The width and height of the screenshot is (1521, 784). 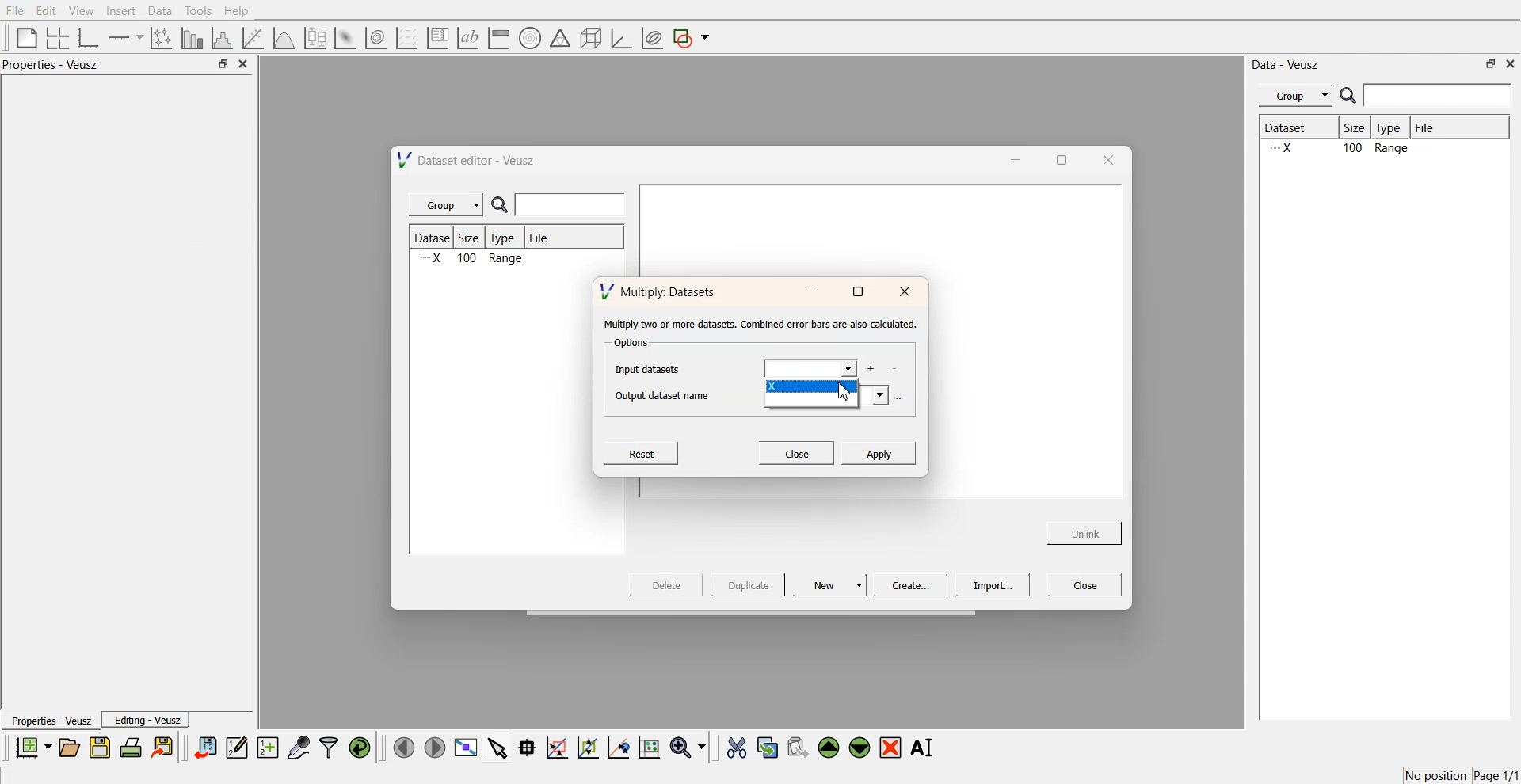 I want to click on plot a function on a graph, so click(x=284, y=36).